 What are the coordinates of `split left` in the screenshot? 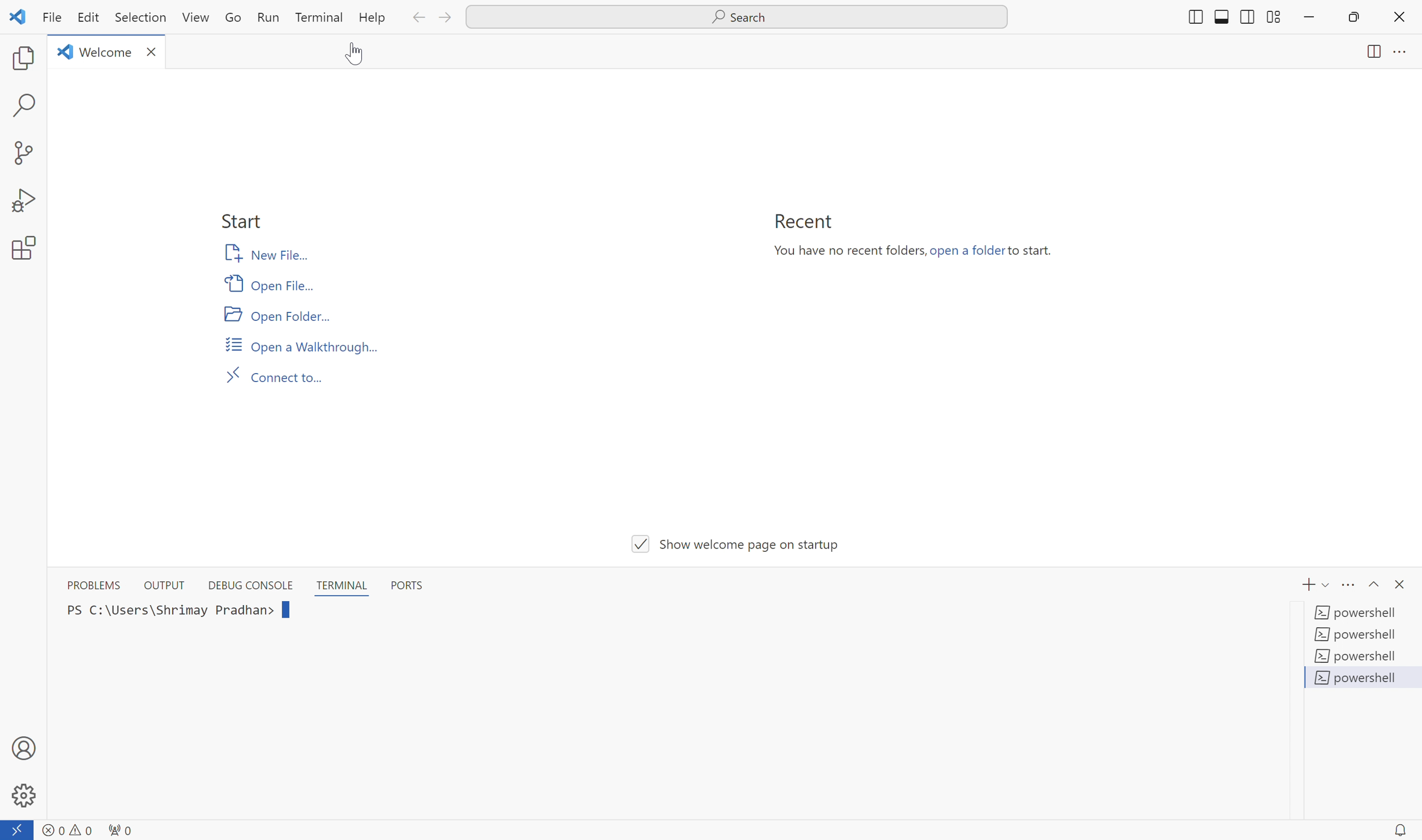 It's located at (1245, 15).